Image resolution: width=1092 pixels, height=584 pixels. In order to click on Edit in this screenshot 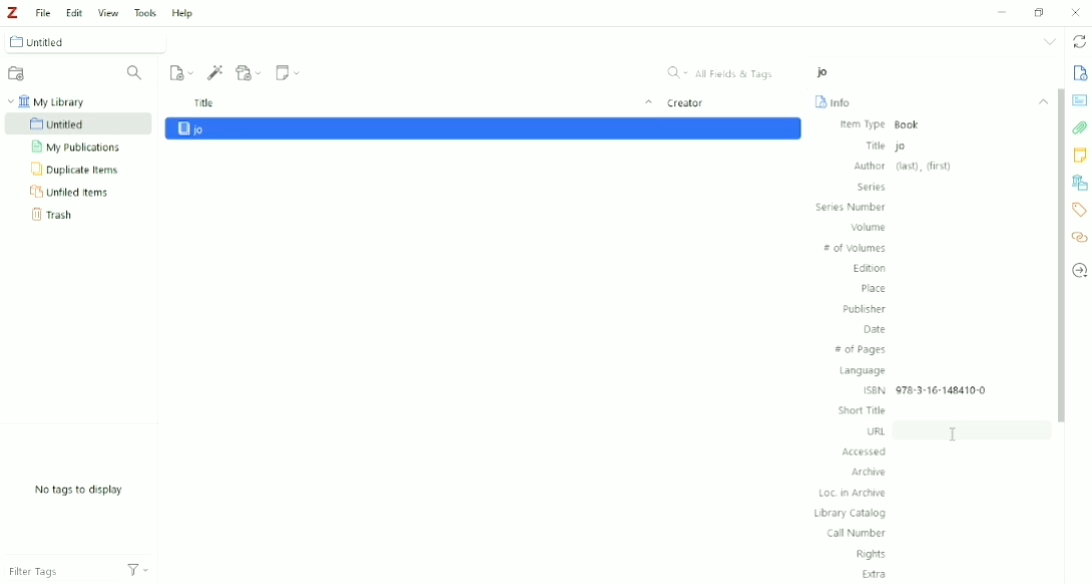, I will do `click(75, 12)`.